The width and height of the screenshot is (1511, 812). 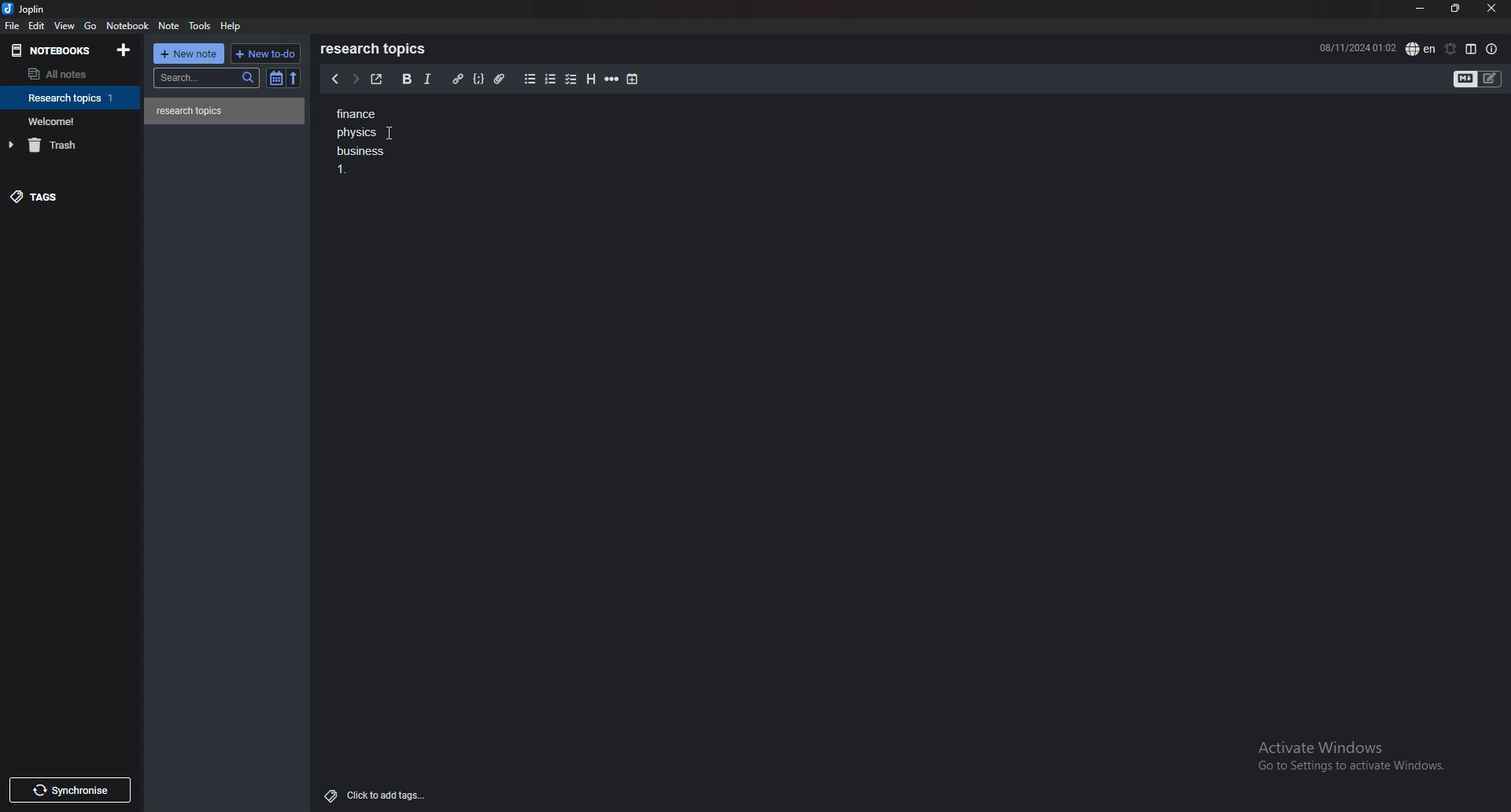 What do you see at coordinates (479, 78) in the screenshot?
I see `code` at bounding box center [479, 78].